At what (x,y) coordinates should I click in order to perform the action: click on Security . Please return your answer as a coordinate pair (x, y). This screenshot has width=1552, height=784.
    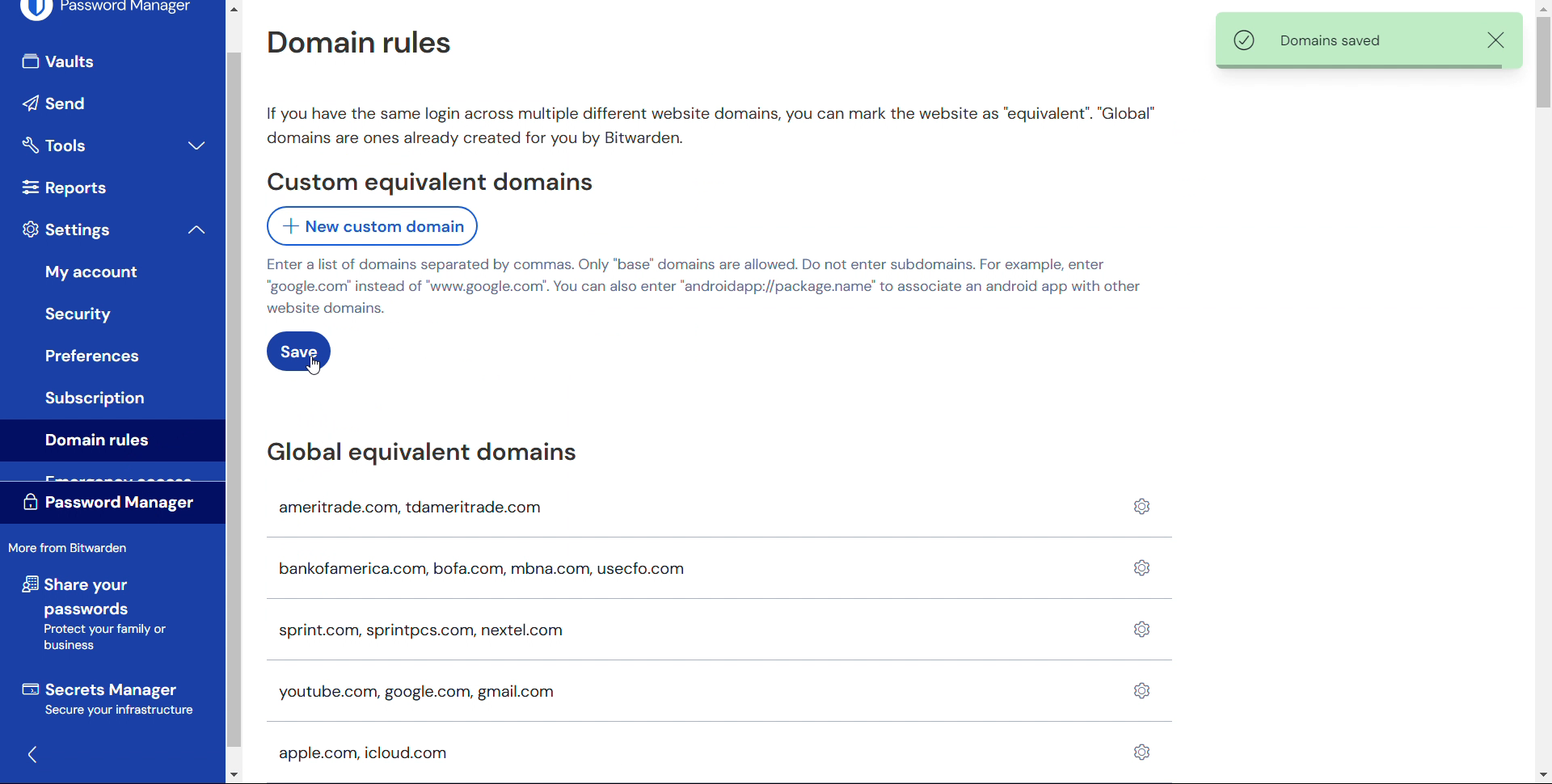
    Looking at the image, I should click on (84, 313).